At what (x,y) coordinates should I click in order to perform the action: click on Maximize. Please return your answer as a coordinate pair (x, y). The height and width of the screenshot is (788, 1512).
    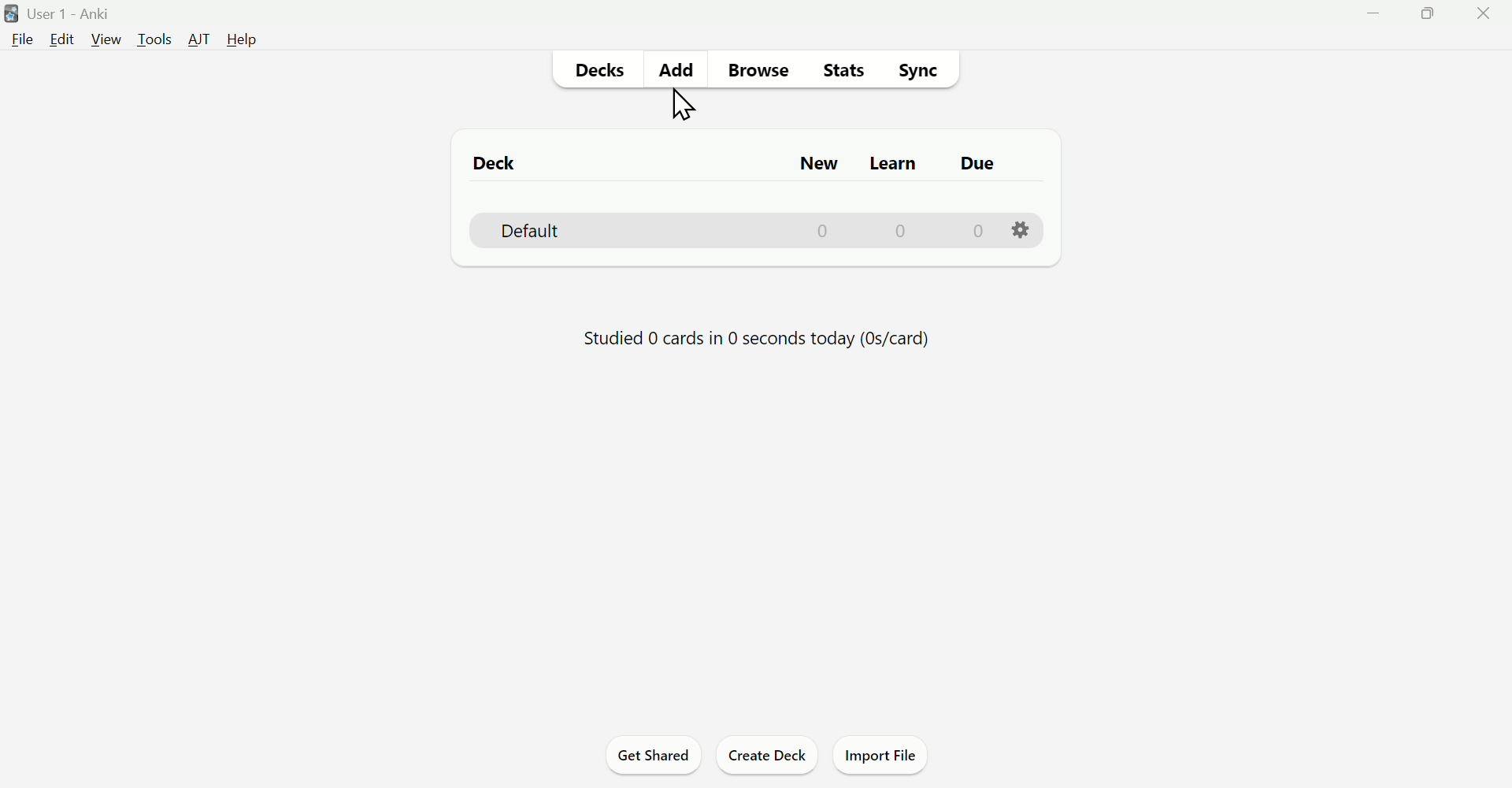
    Looking at the image, I should click on (1426, 14).